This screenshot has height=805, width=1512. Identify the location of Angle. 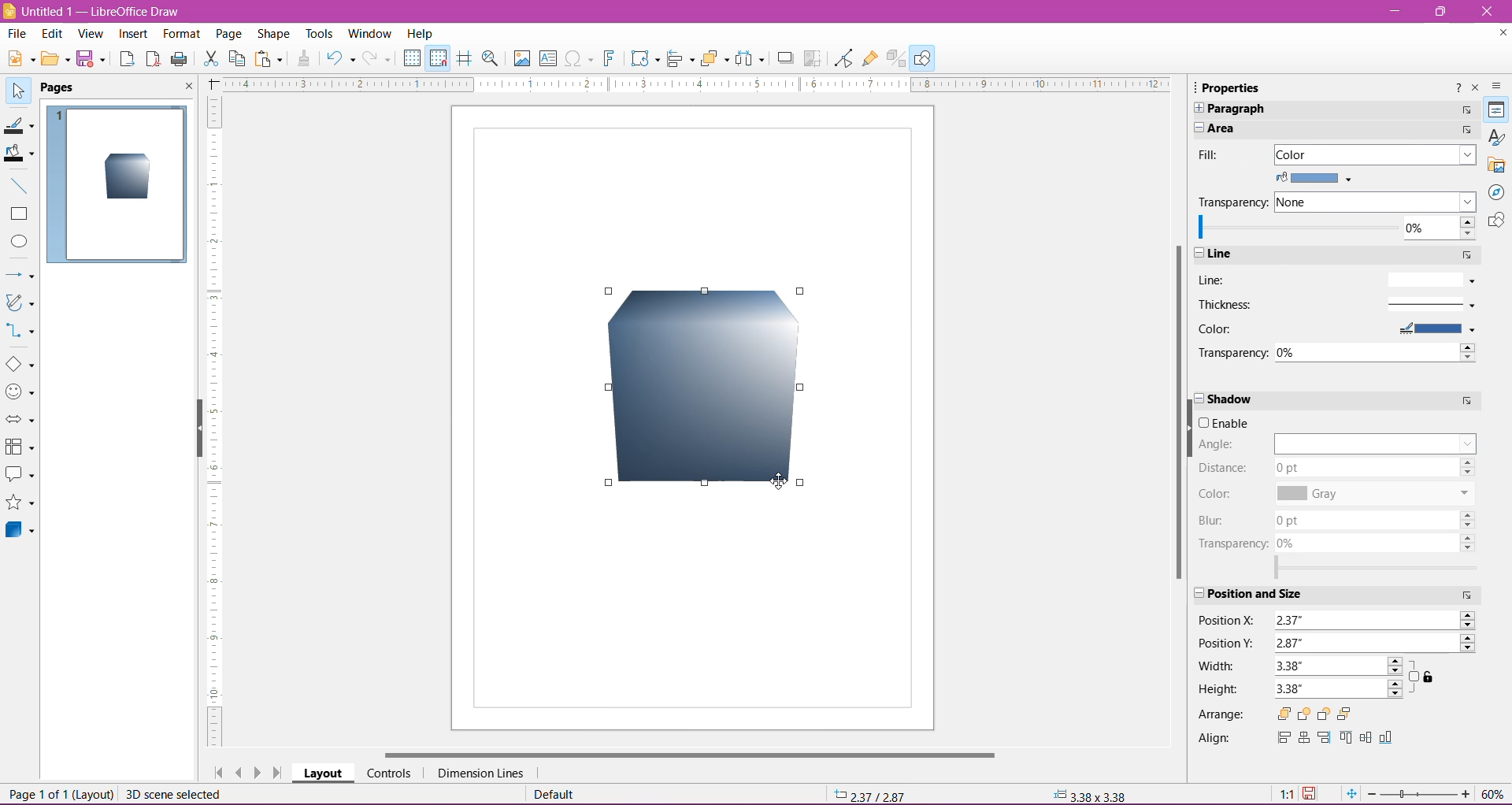
(1231, 444).